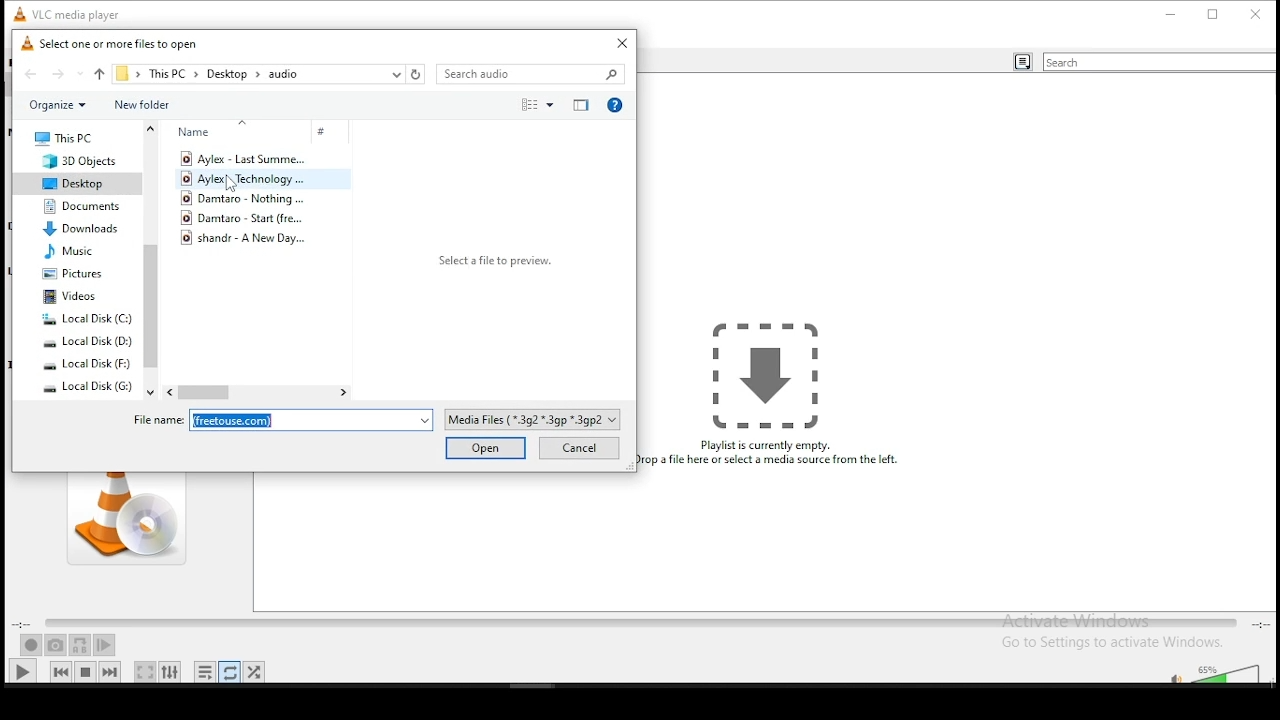 The width and height of the screenshot is (1280, 720). What do you see at coordinates (243, 158) in the screenshot?
I see `Aylex- Last Summer` at bounding box center [243, 158].